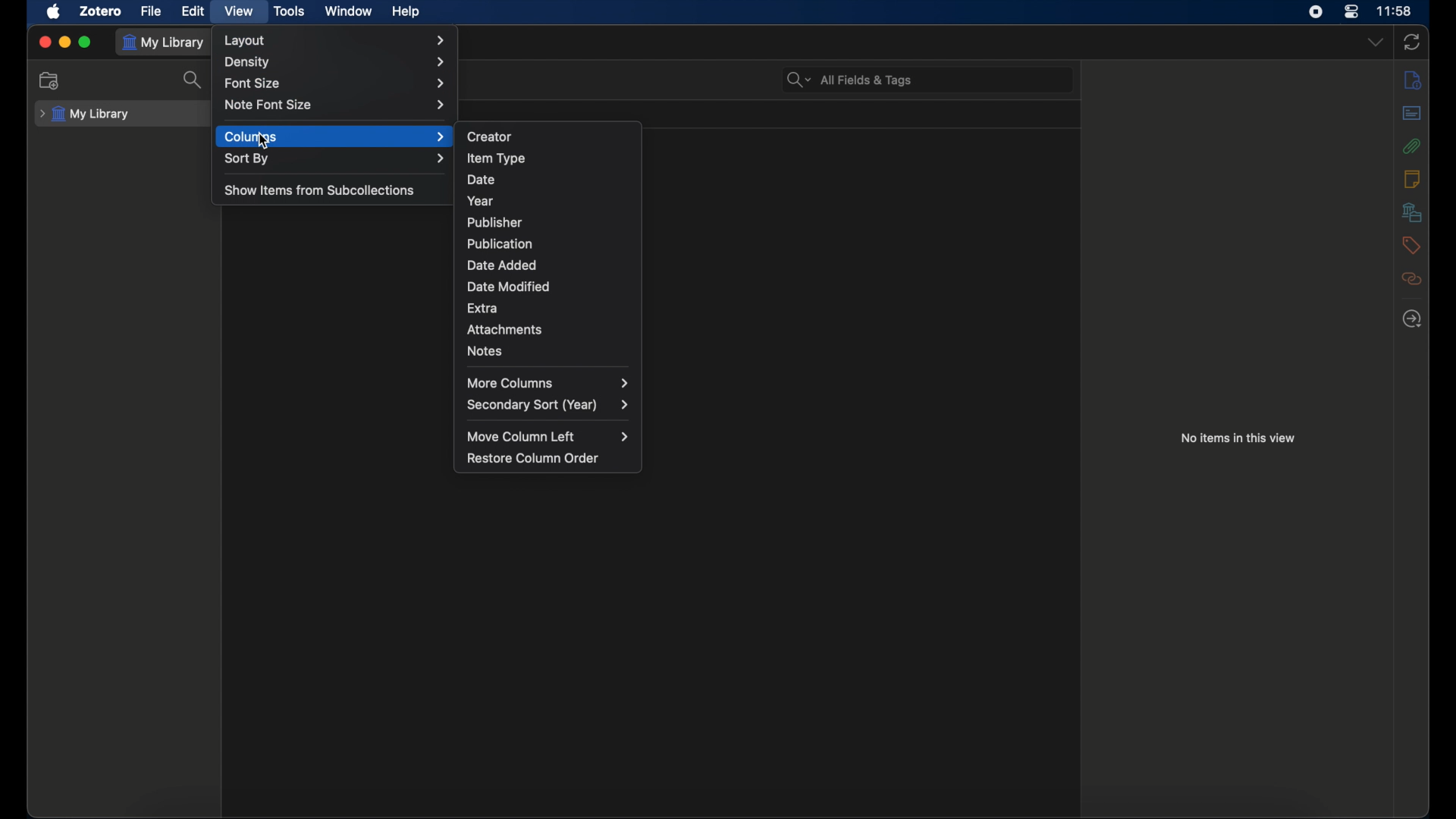 Image resolution: width=1456 pixels, height=819 pixels. Describe the element at coordinates (100, 11) in the screenshot. I see `zotero` at that location.